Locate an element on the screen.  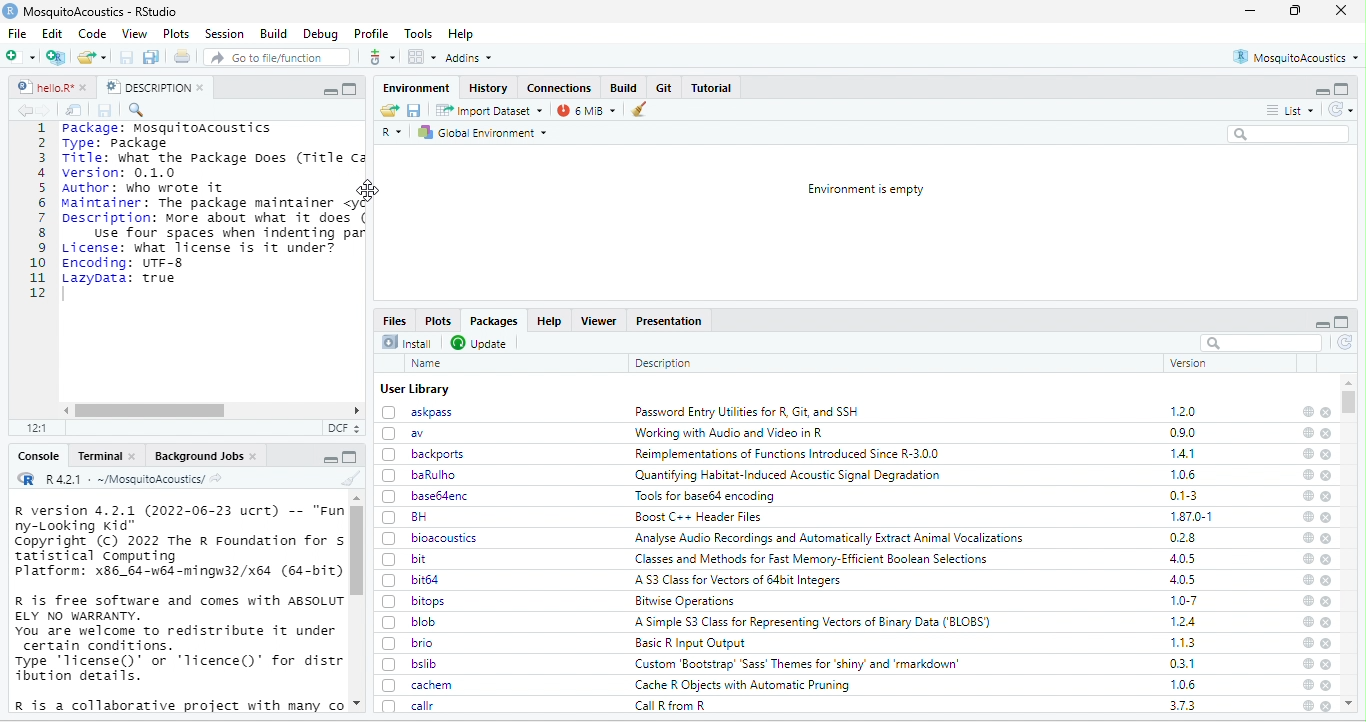
Save is located at coordinates (107, 111).